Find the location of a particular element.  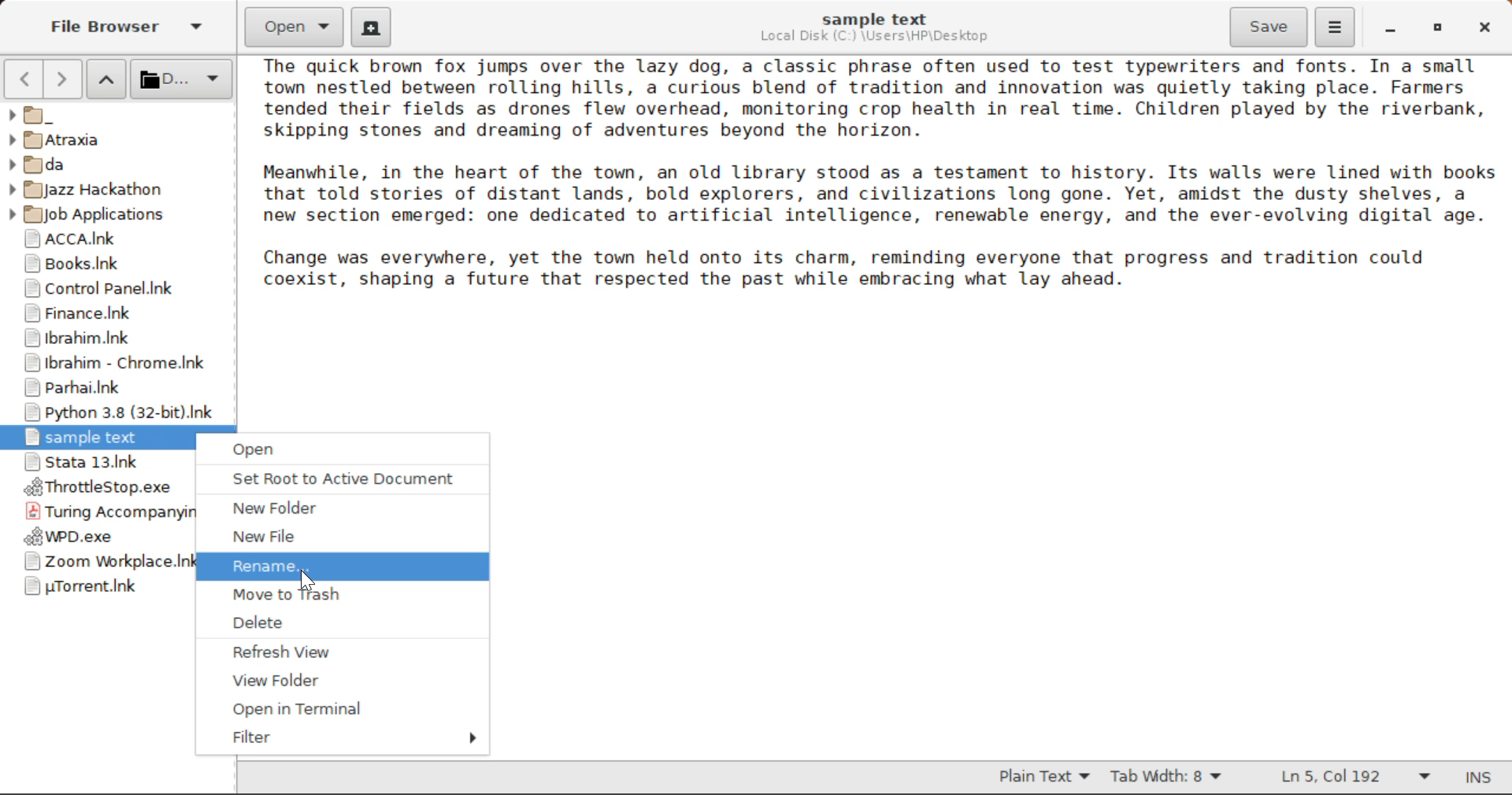

Set Root to Active Document is located at coordinates (341, 478).